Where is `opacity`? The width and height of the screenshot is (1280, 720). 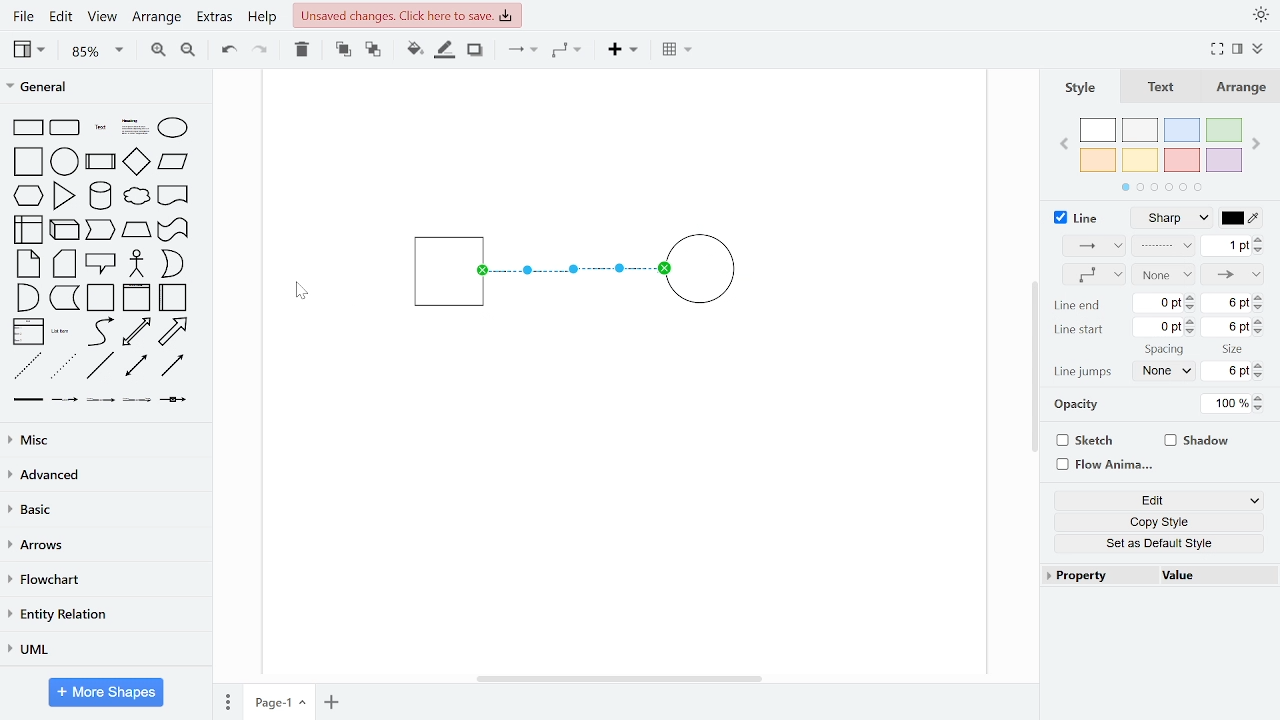 opacity is located at coordinates (1079, 407).